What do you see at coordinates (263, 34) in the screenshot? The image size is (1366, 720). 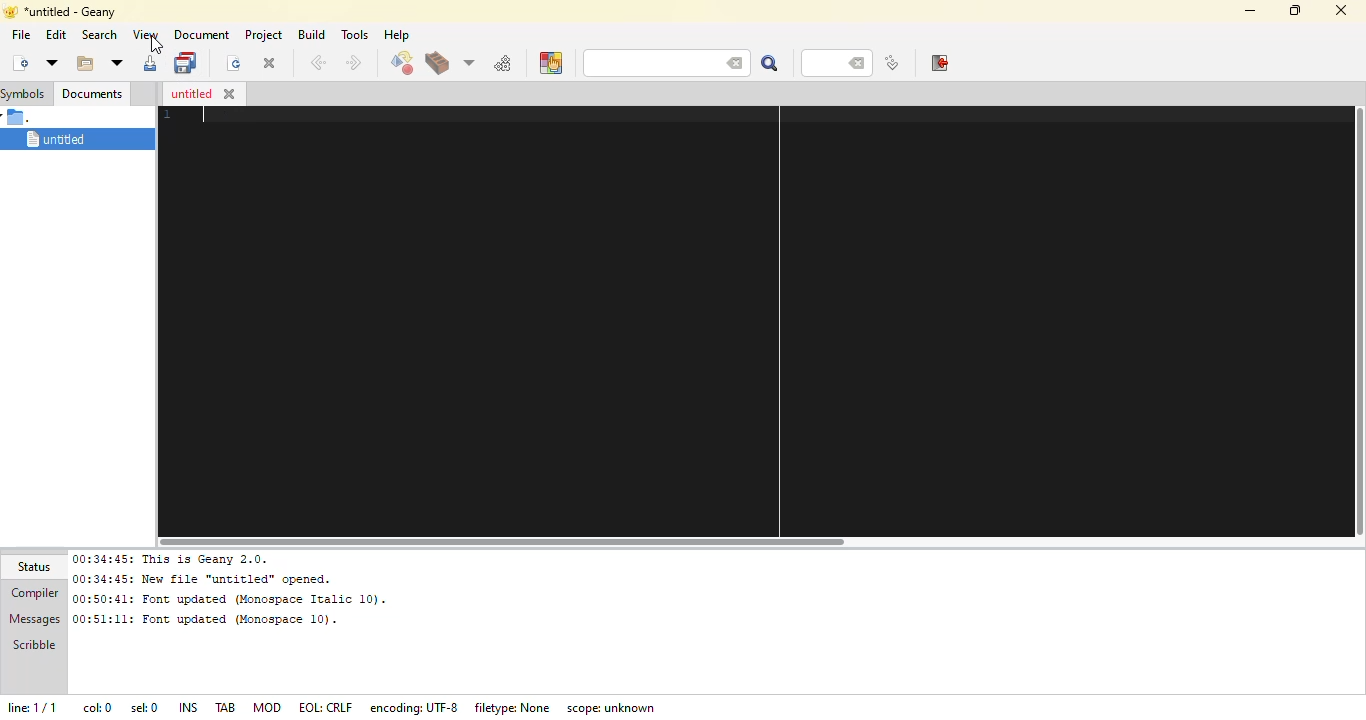 I see `project` at bounding box center [263, 34].